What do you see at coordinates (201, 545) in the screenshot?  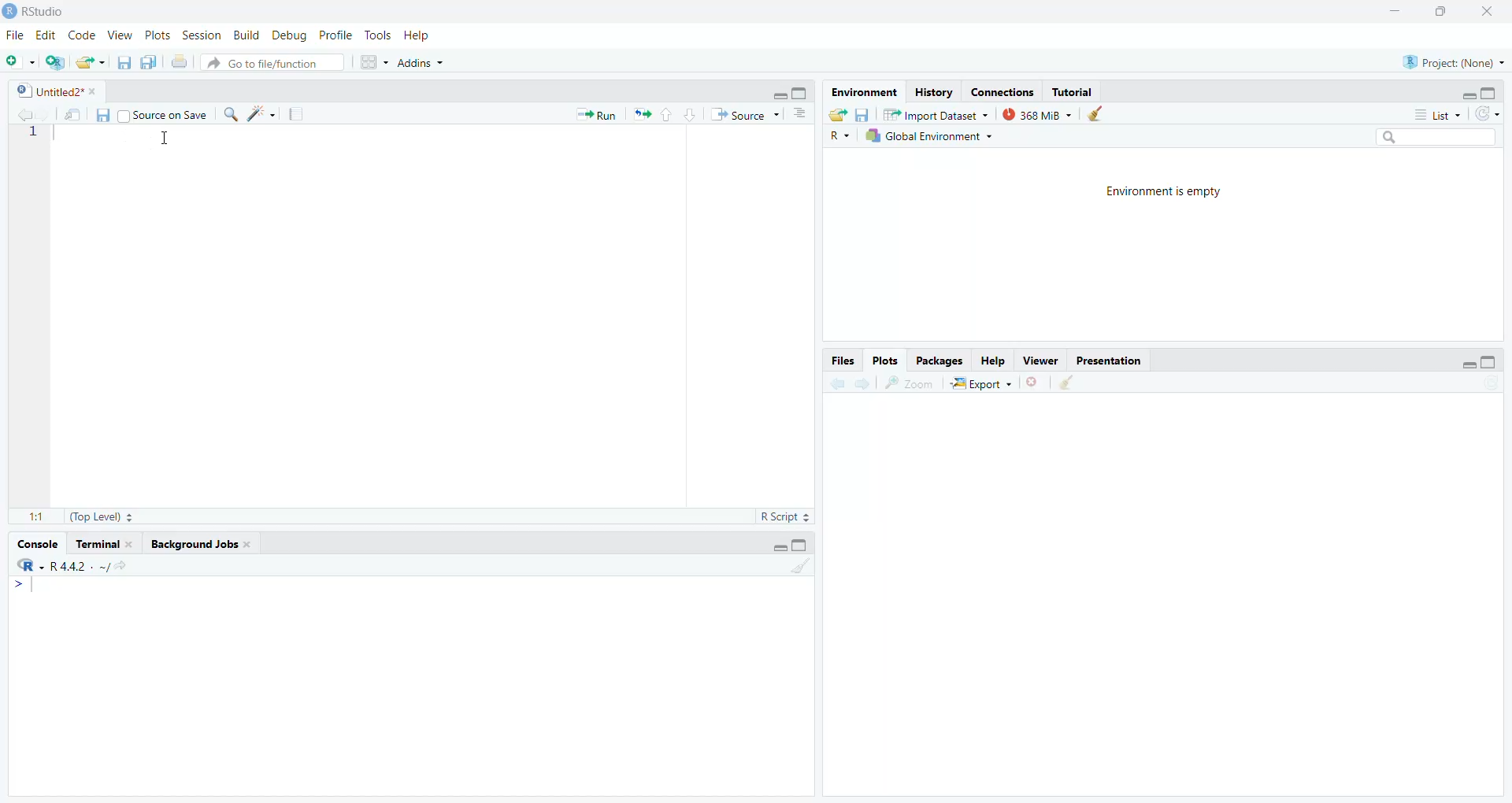 I see `Background Jobs` at bounding box center [201, 545].